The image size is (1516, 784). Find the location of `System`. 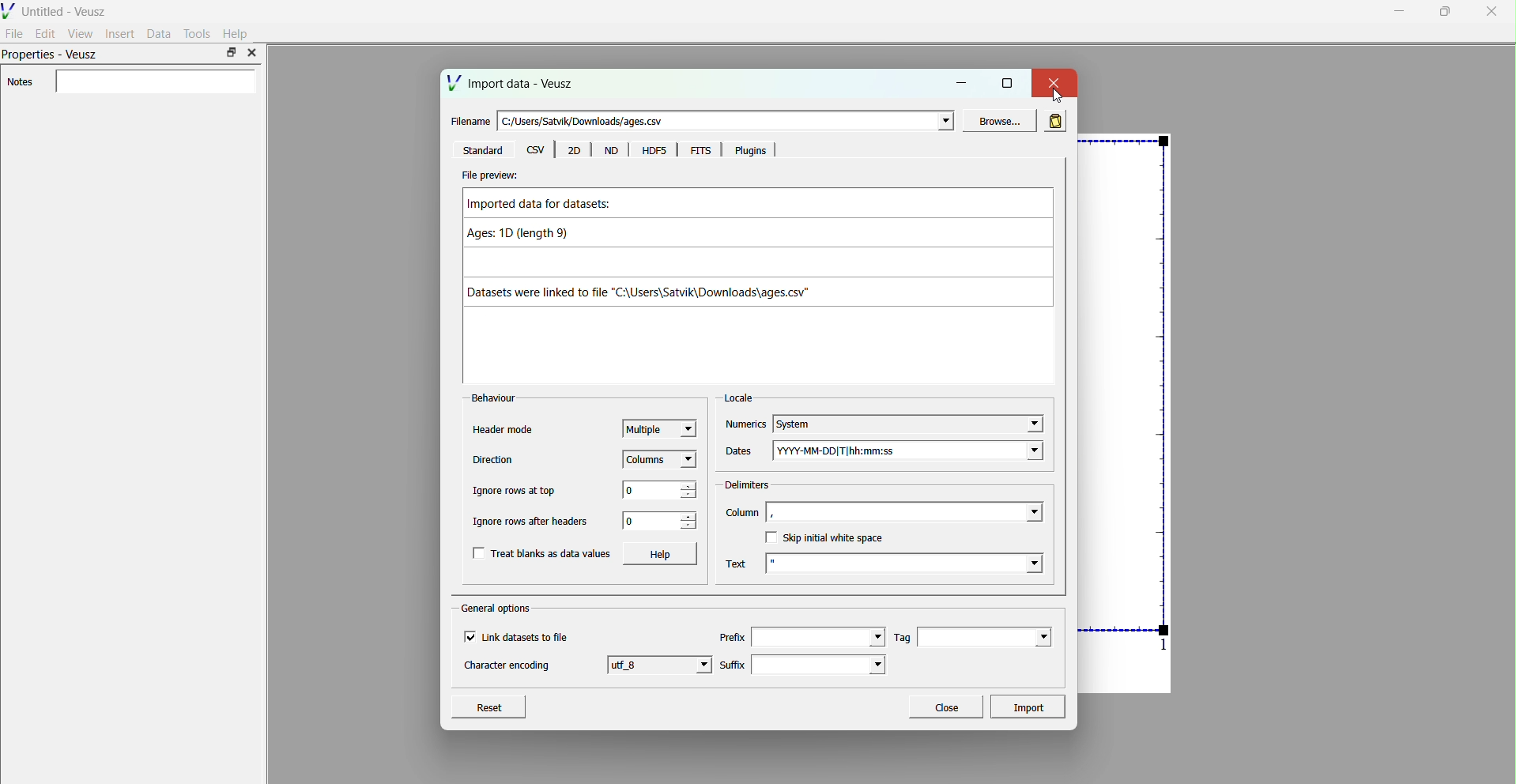

System is located at coordinates (909, 424).